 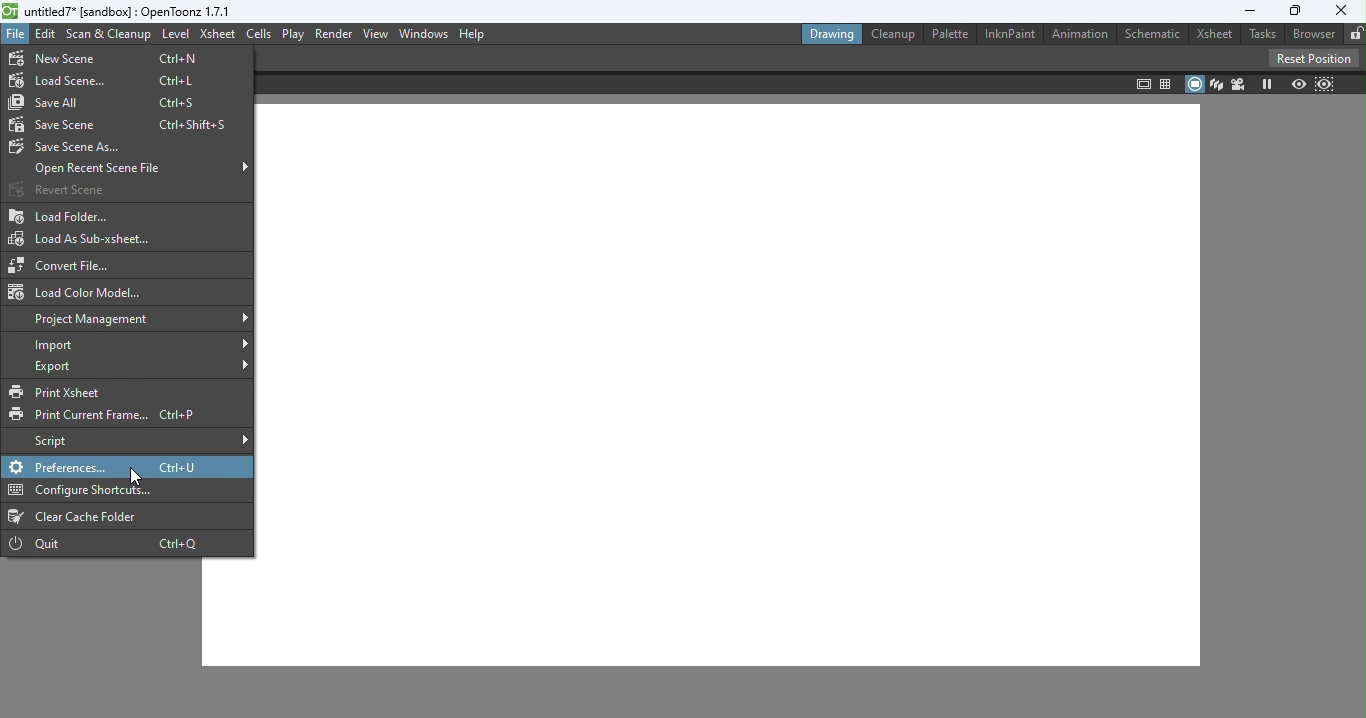 I want to click on Xsheet, so click(x=1214, y=35).